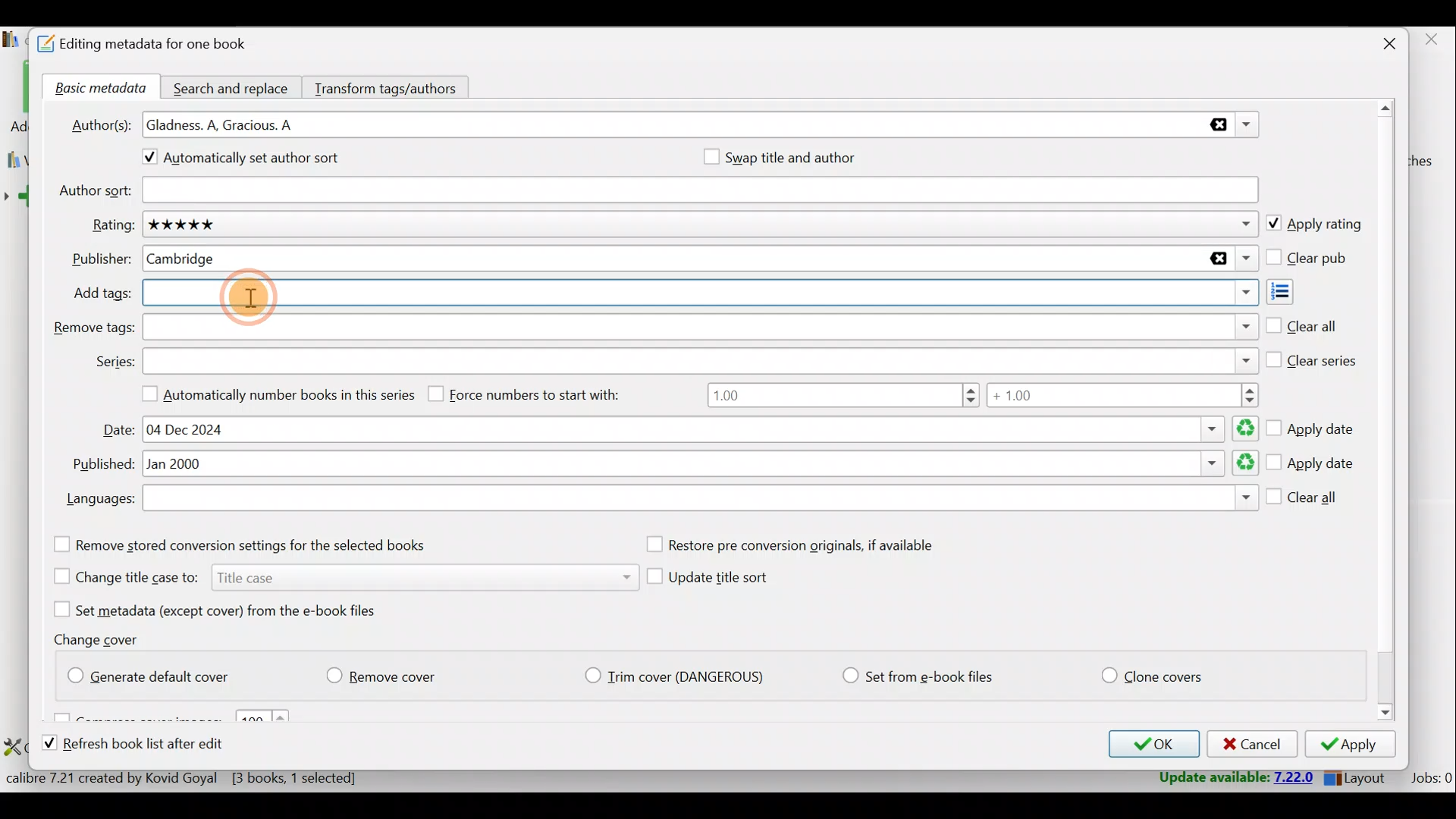 The image size is (1456, 819). I want to click on Cursor, so click(249, 298).